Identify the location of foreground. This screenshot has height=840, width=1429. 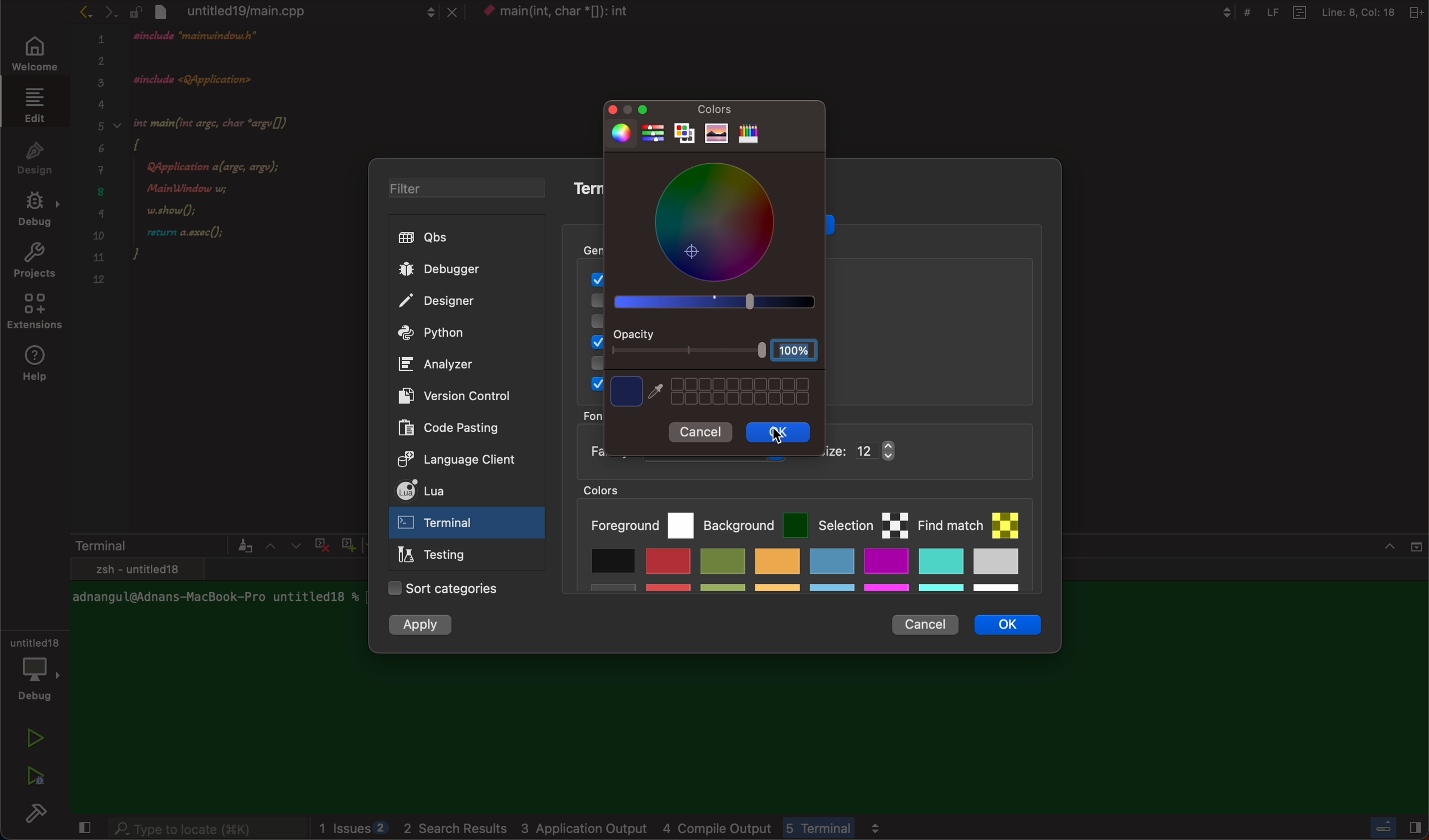
(641, 523).